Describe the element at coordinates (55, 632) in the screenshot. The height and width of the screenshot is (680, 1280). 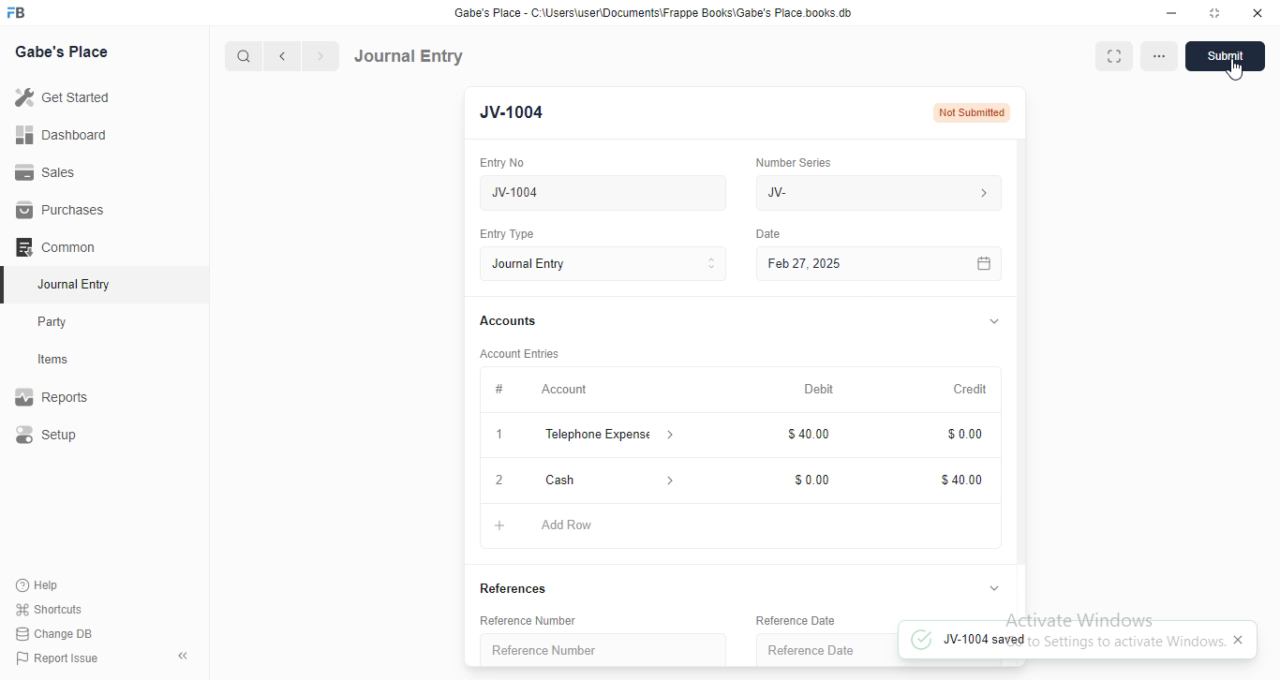
I see `| Change DB` at that location.